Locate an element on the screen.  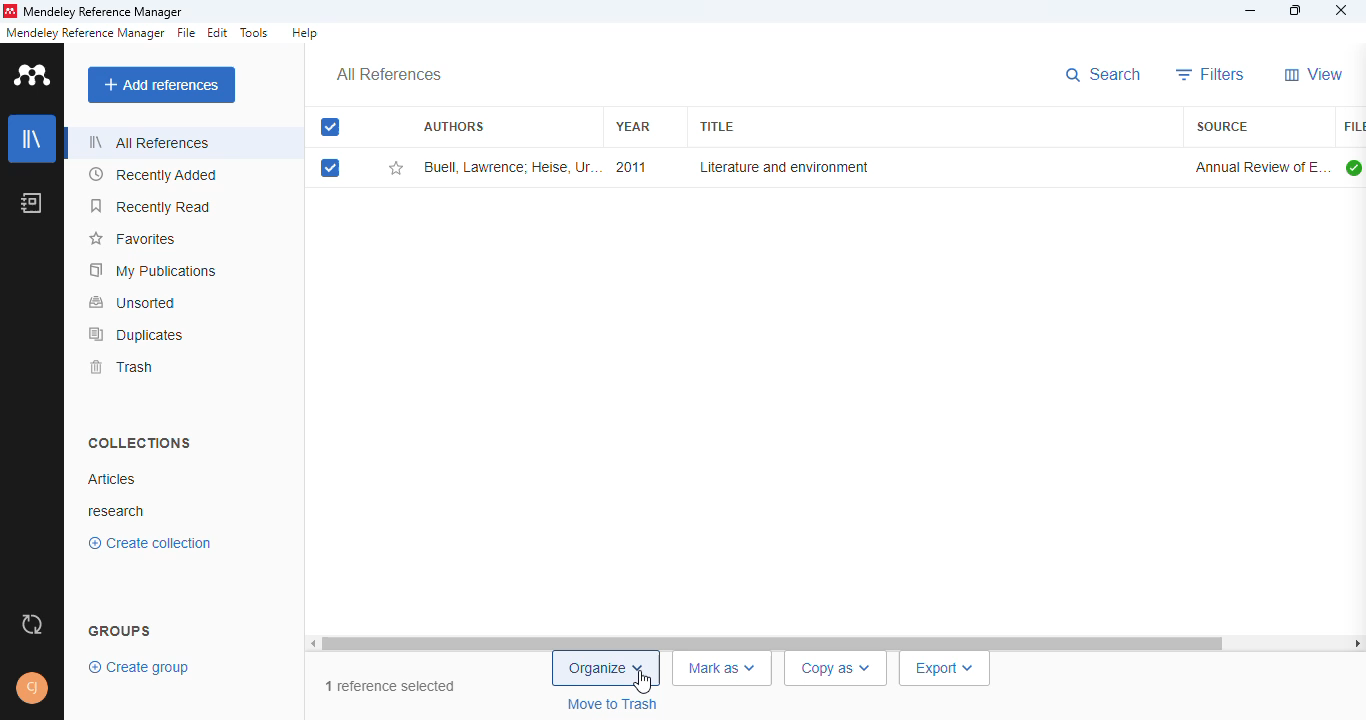
close is located at coordinates (1342, 10).